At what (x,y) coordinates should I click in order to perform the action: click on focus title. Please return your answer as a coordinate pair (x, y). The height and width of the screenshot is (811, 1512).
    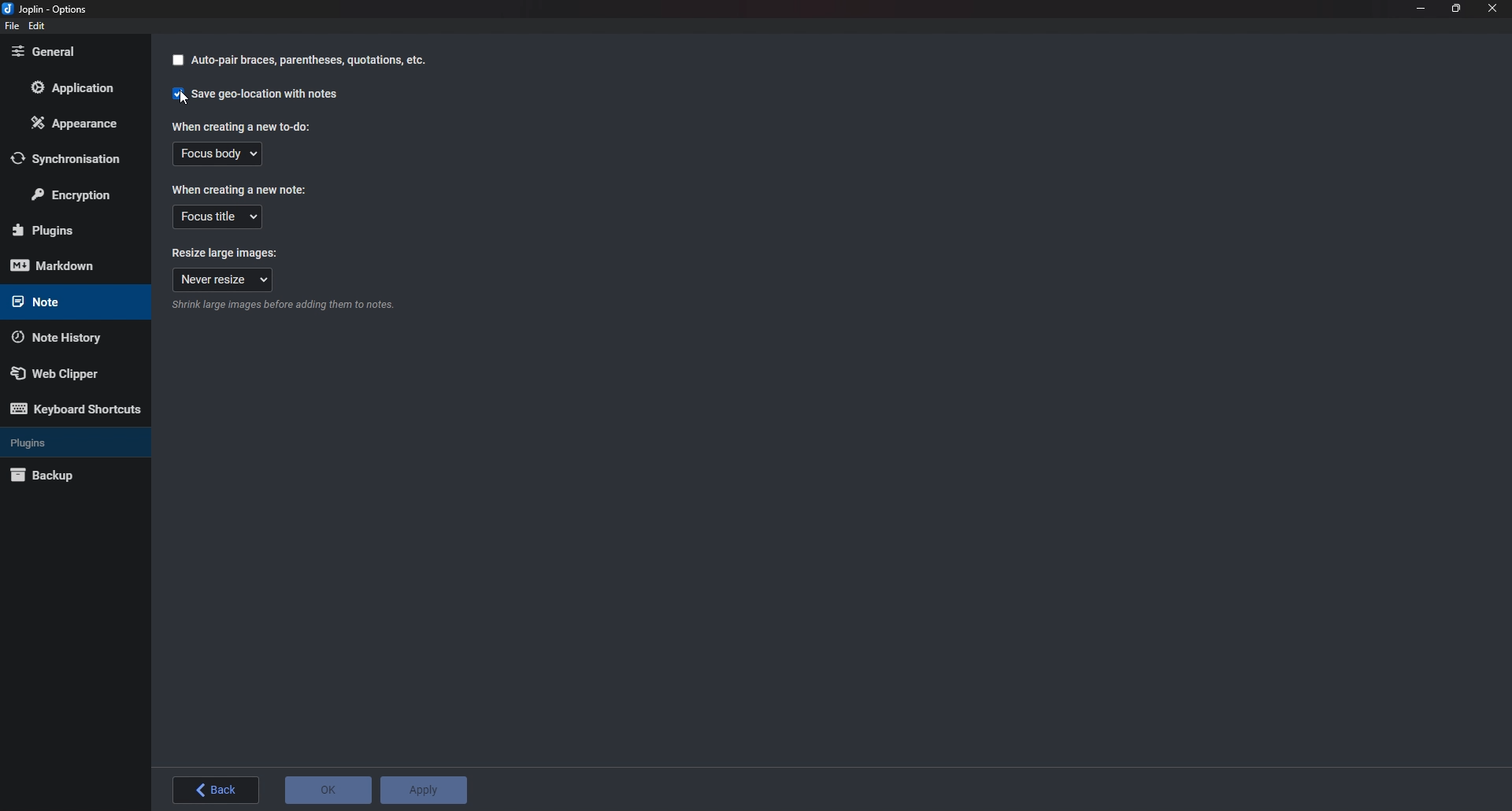
    Looking at the image, I should click on (217, 217).